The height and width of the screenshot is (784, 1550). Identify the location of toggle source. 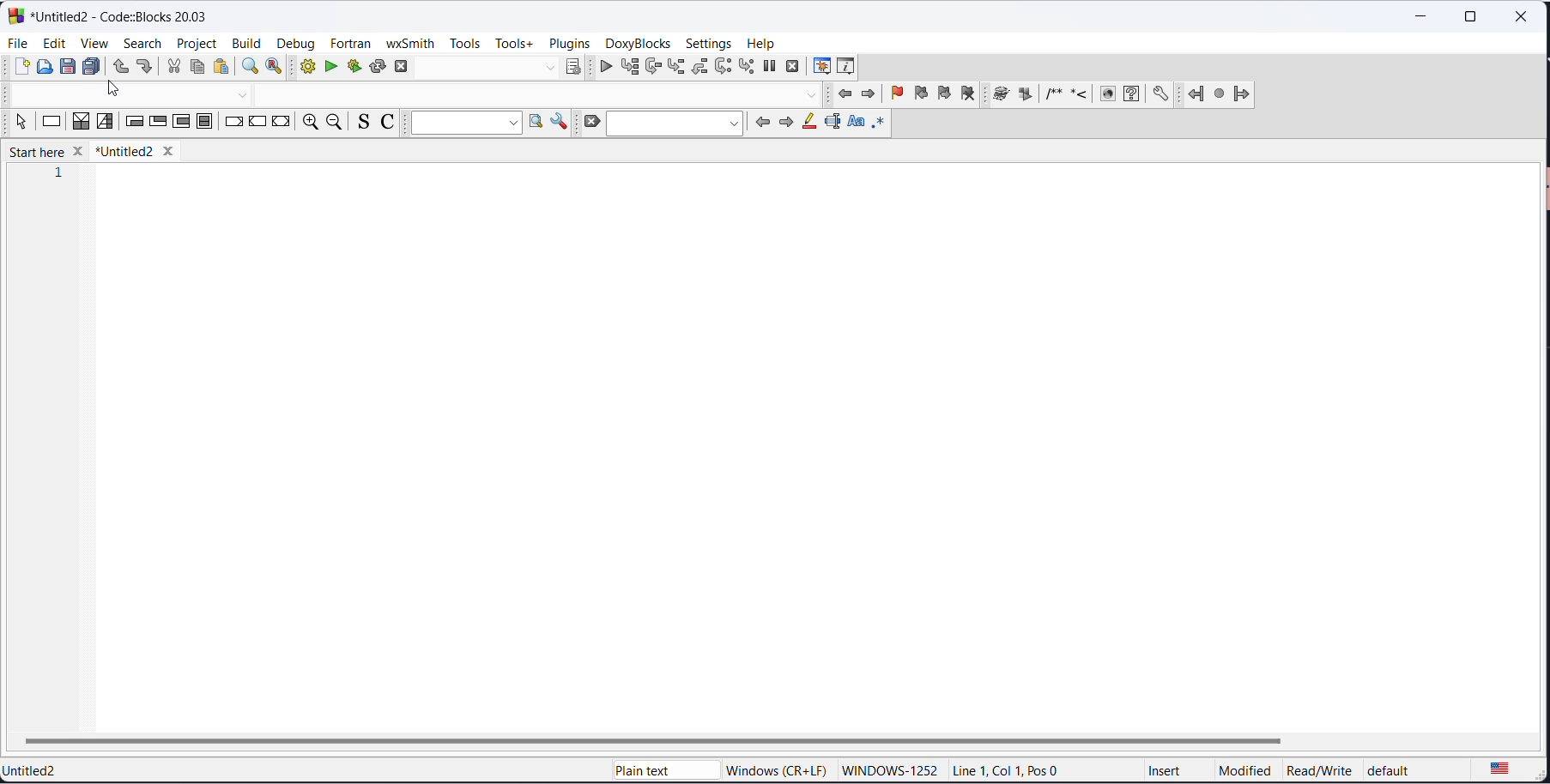
(365, 124).